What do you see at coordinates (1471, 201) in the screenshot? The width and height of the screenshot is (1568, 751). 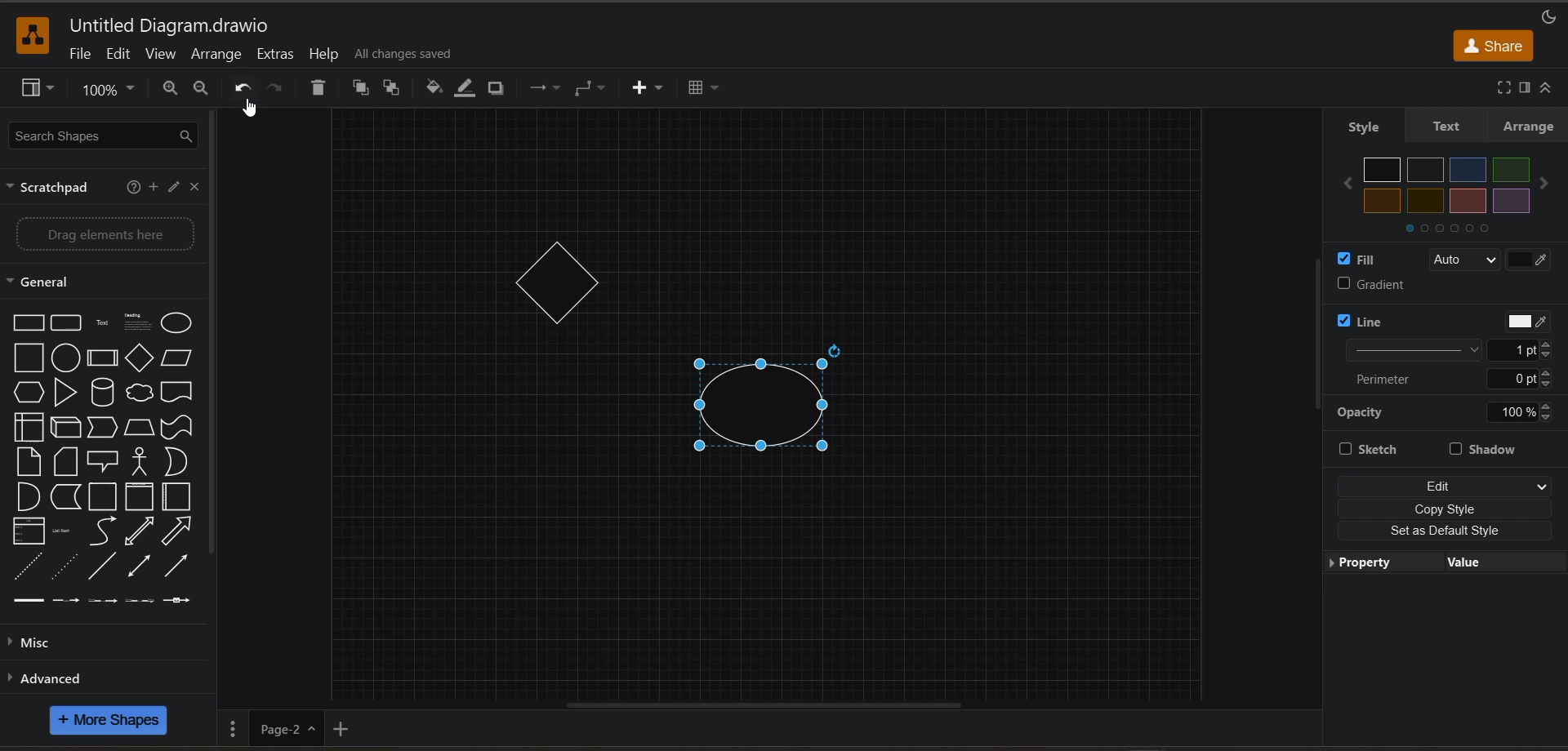 I see `Color 7` at bounding box center [1471, 201].